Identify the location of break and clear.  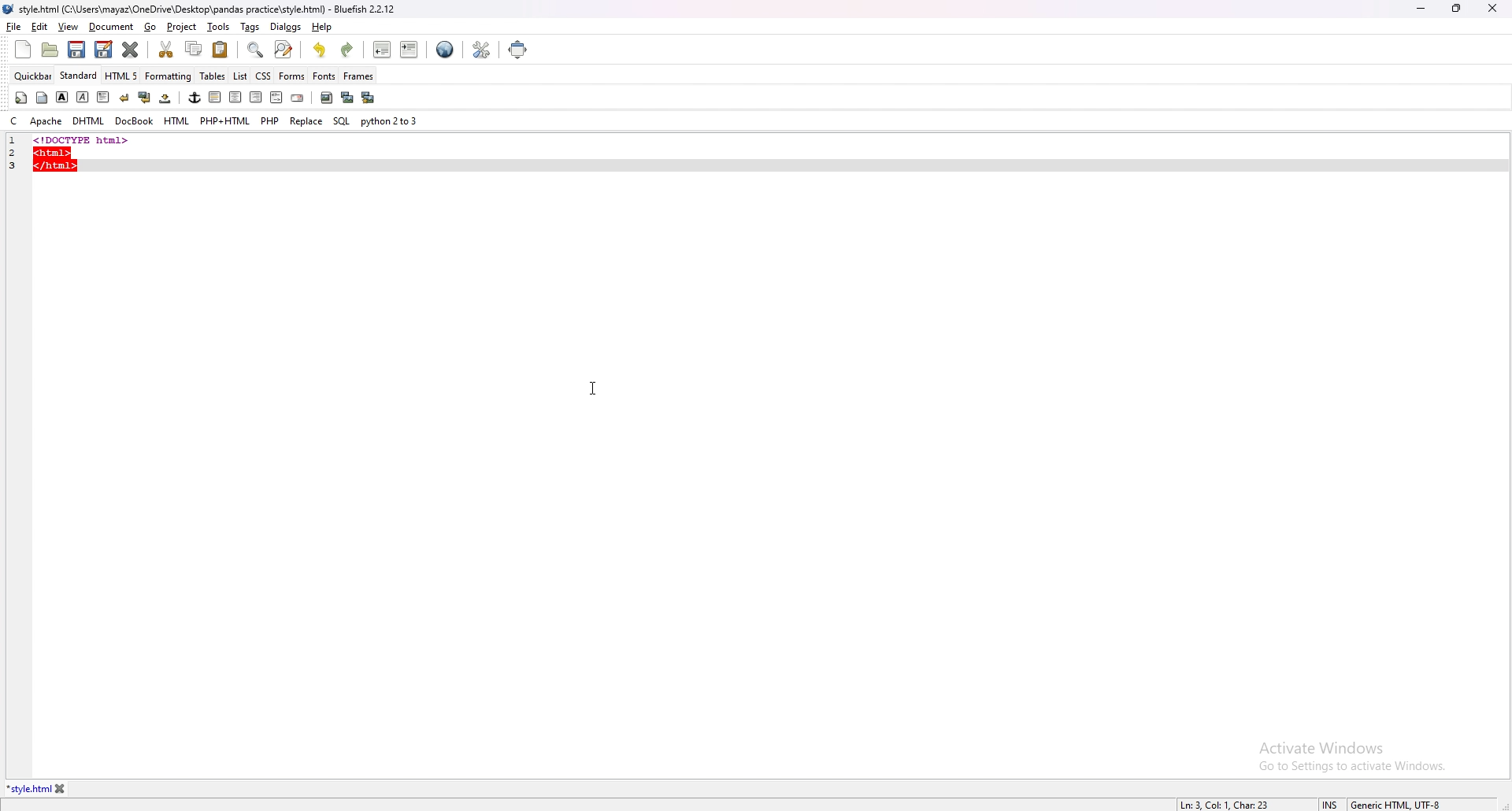
(143, 98).